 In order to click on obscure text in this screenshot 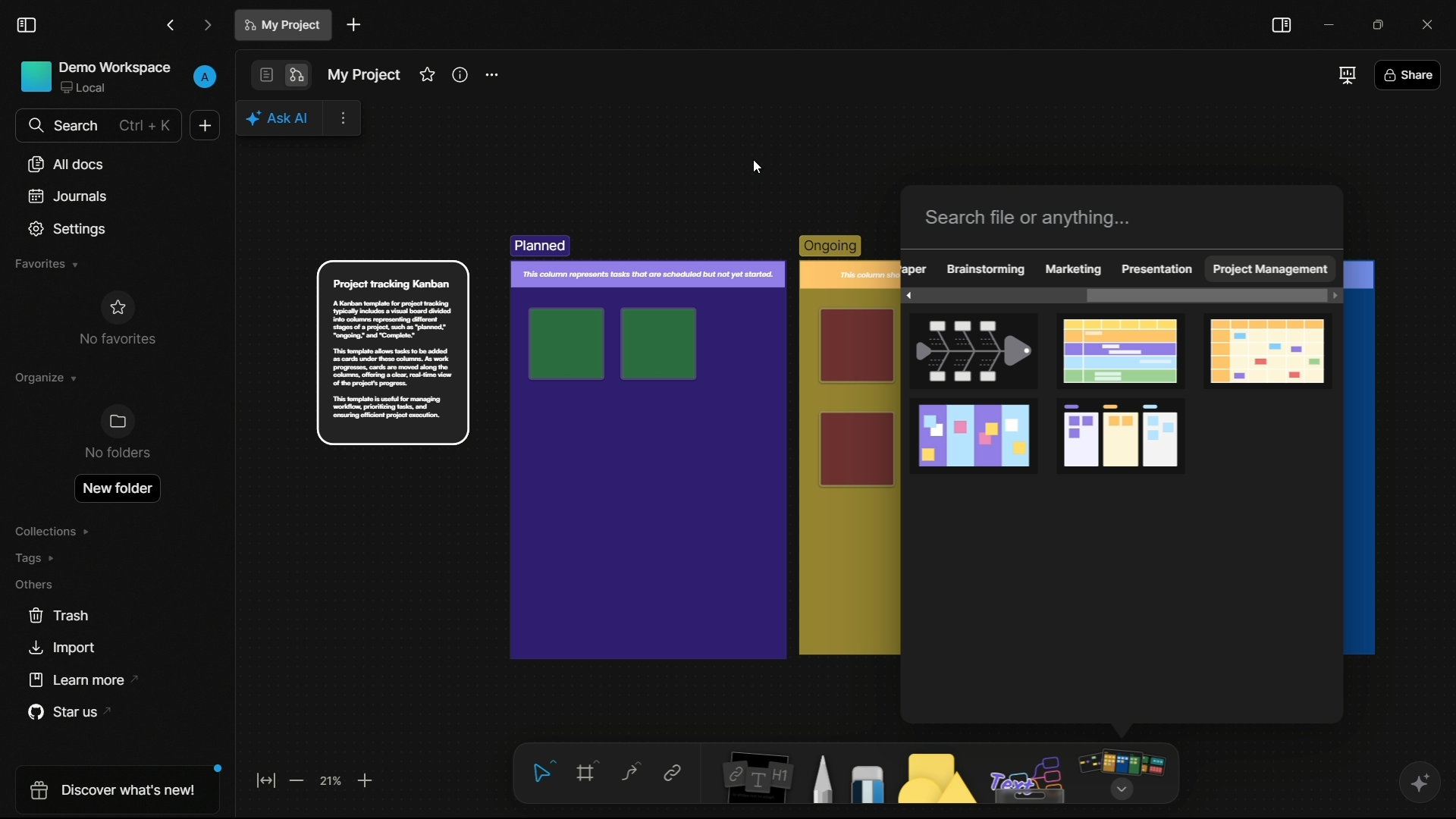, I will do `click(915, 268)`.